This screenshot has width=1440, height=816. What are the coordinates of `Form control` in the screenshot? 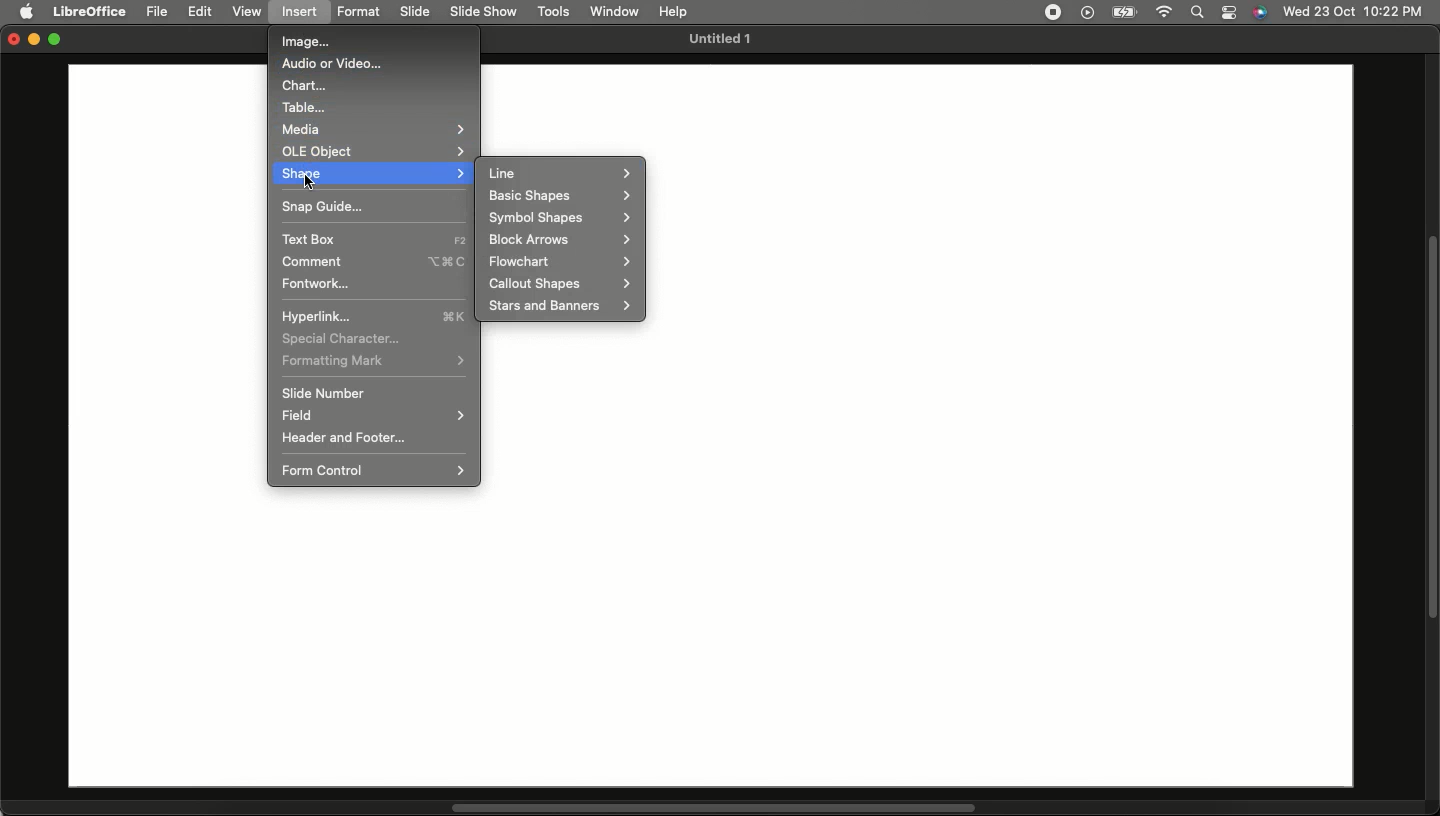 It's located at (377, 469).